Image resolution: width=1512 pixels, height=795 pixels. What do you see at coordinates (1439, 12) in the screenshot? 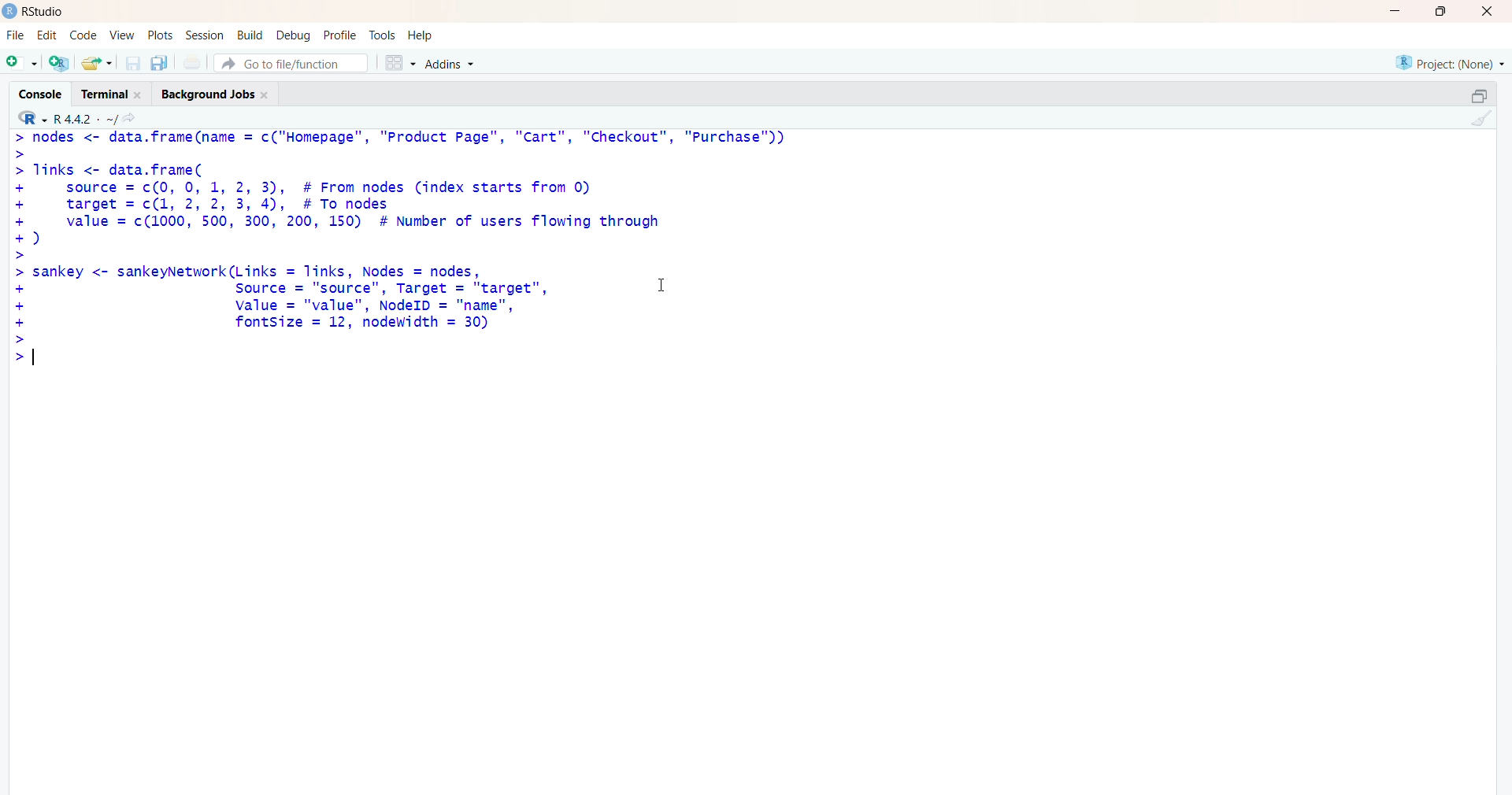
I see `maximize` at bounding box center [1439, 12].